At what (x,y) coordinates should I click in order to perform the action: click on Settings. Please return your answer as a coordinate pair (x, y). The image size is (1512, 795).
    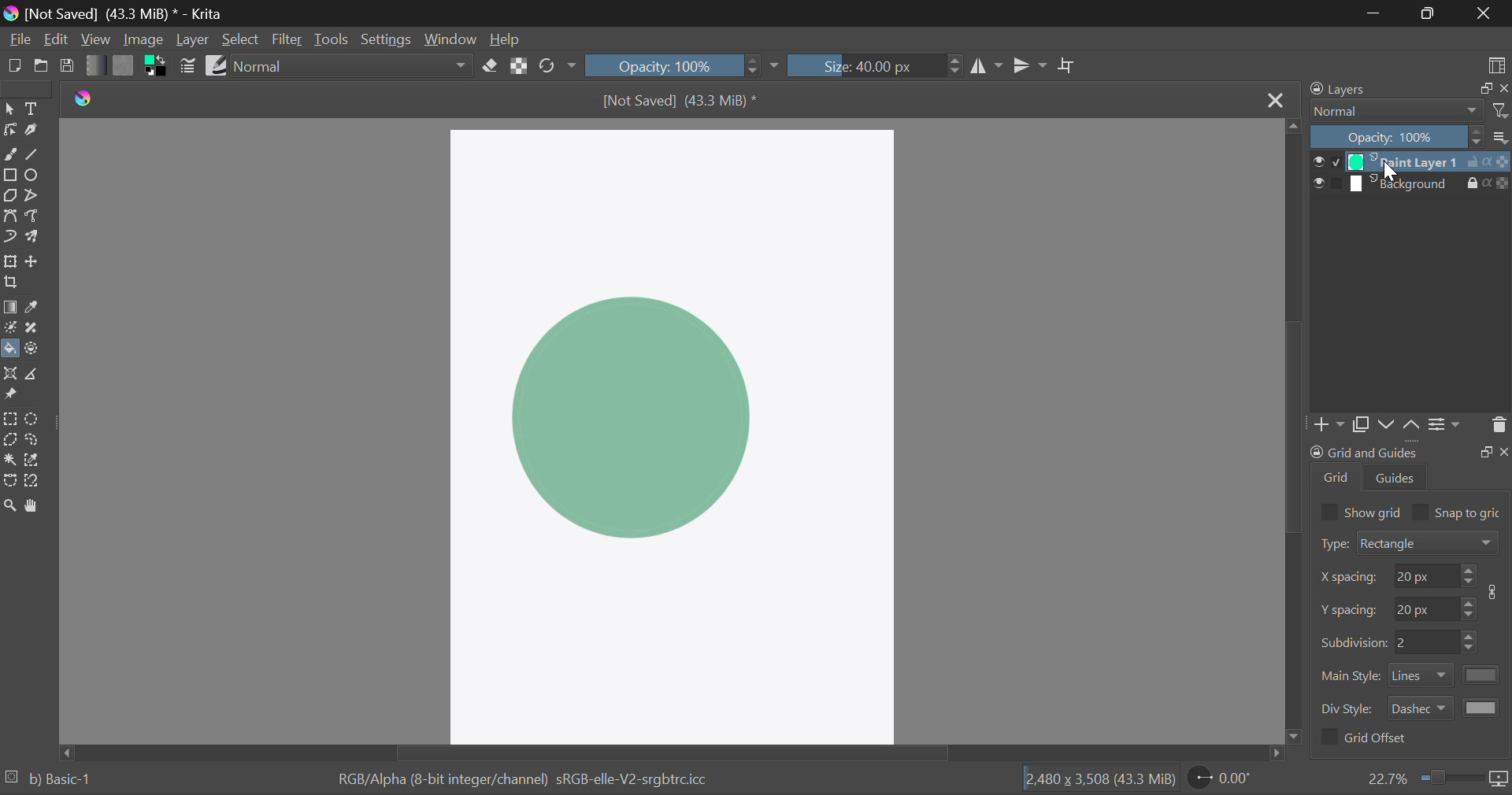
    Looking at the image, I should click on (384, 39).